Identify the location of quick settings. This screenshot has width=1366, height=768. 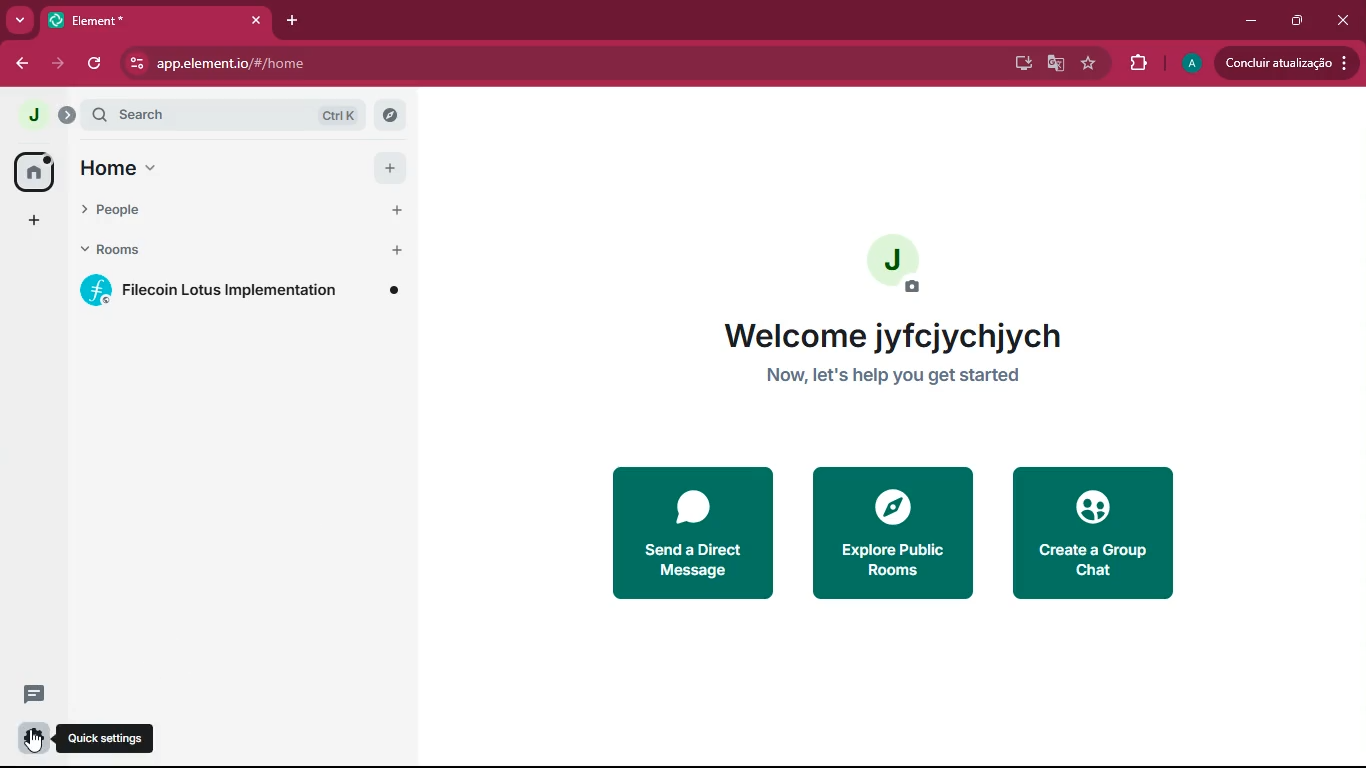
(112, 738).